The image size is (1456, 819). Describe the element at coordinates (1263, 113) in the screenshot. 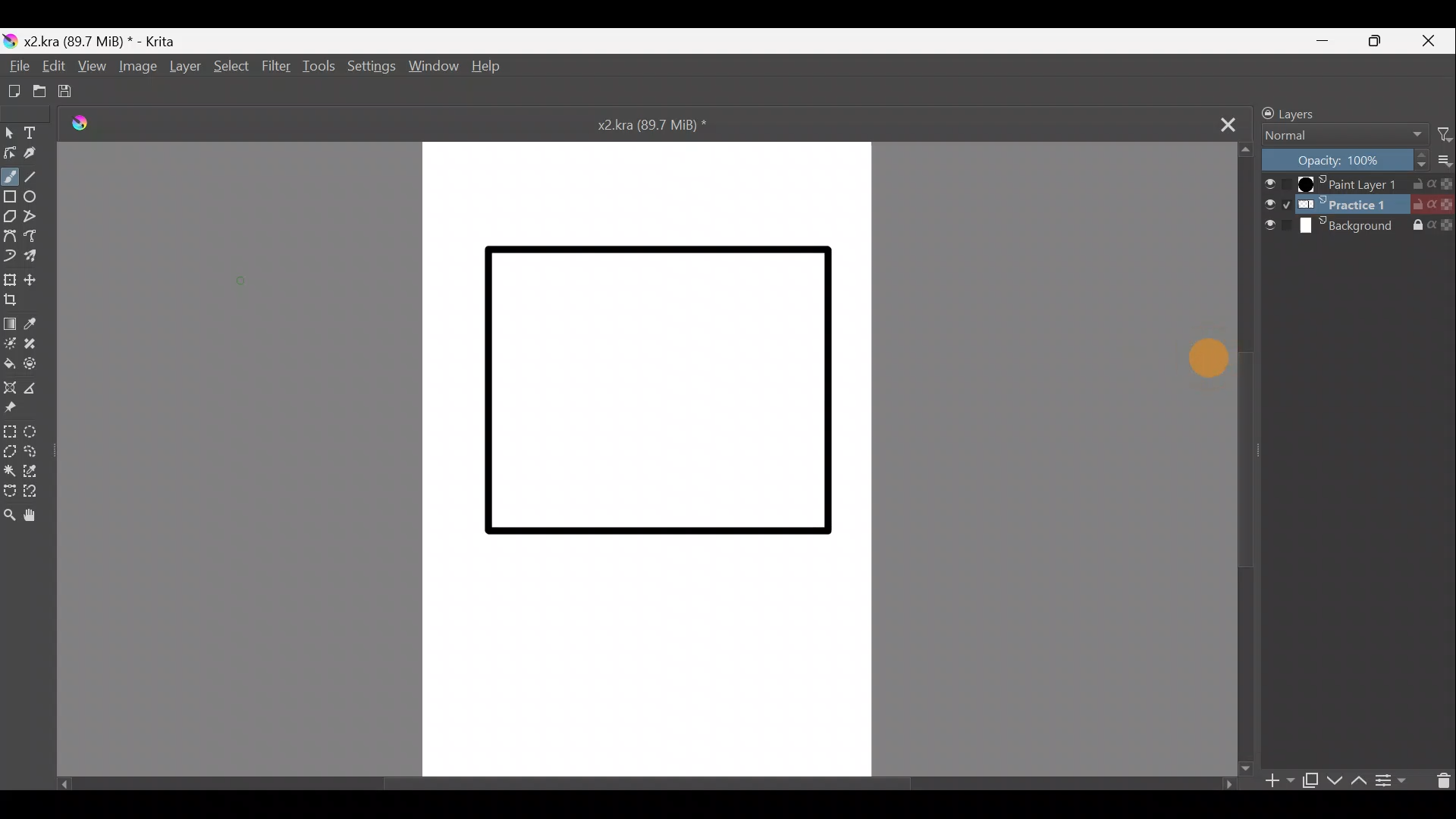

I see `Lock/unlock` at that location.